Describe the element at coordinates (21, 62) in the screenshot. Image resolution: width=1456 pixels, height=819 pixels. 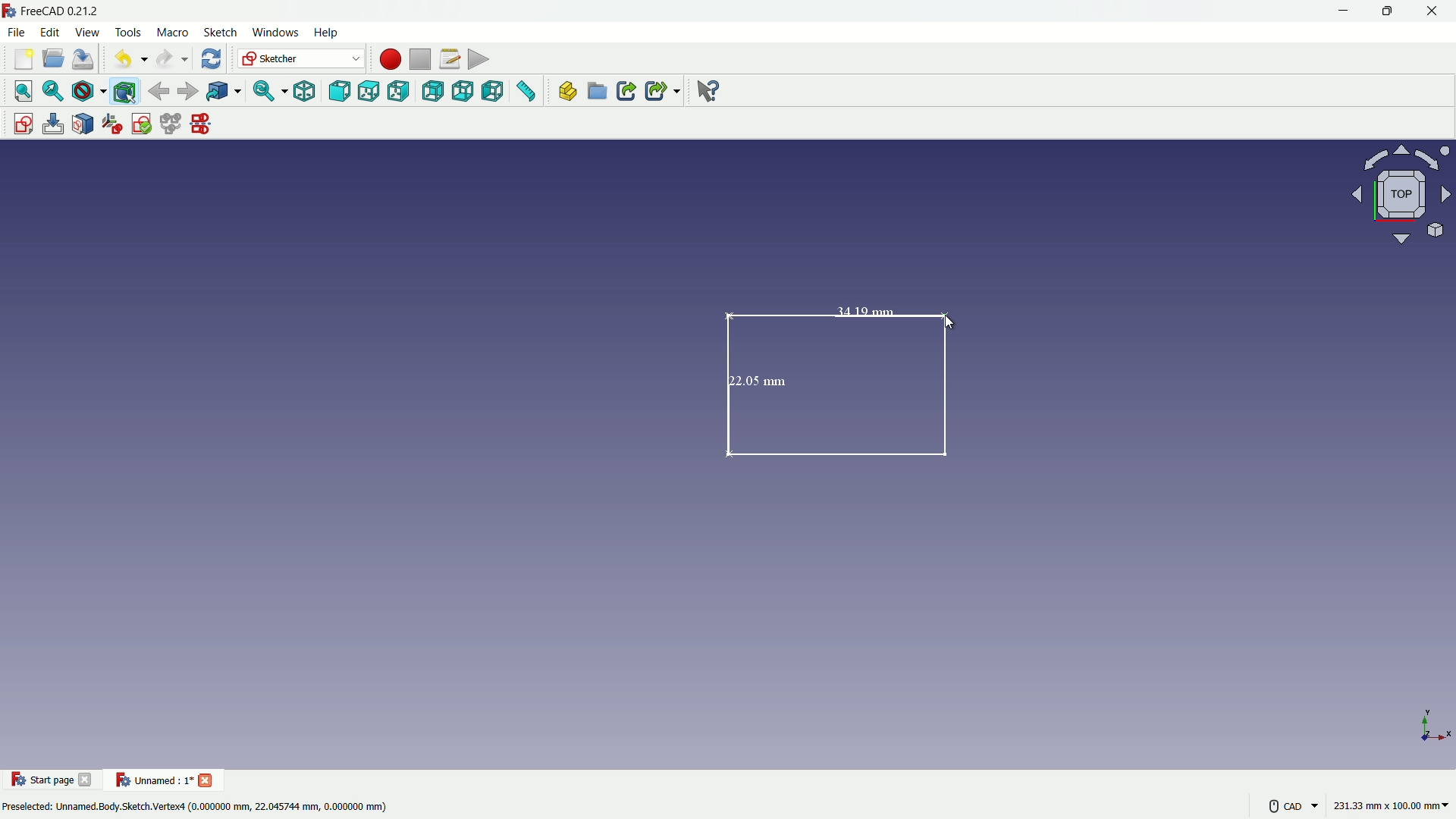
I see `new file` at that location.